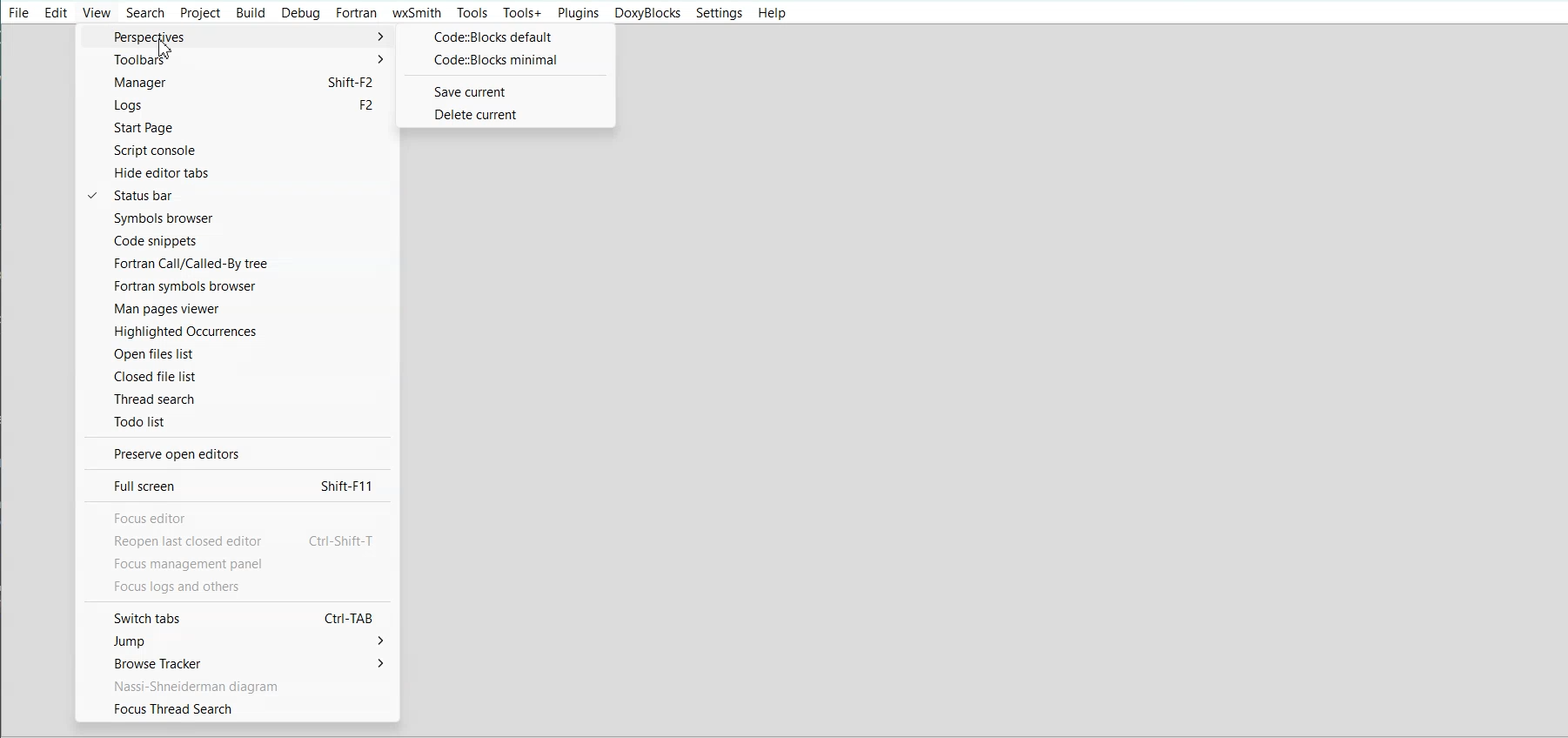 The height and width of the screenshot is (738, 1568). Describe the element at coordinates (239, 172) in the screenshot. I see `Hide editor tab` at that location.